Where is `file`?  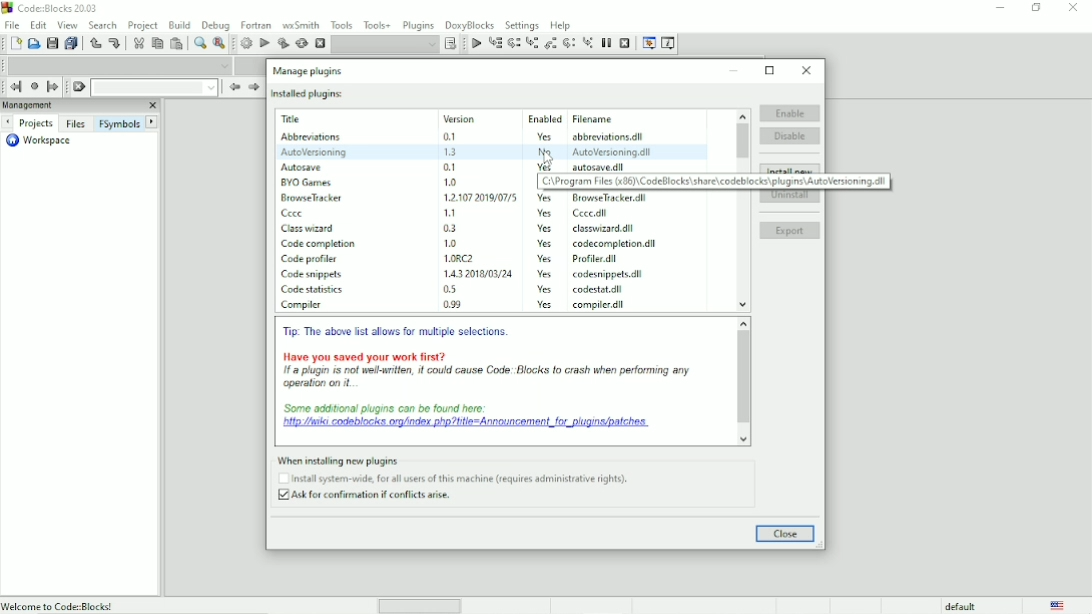 file is located at coordinates (599, 290).